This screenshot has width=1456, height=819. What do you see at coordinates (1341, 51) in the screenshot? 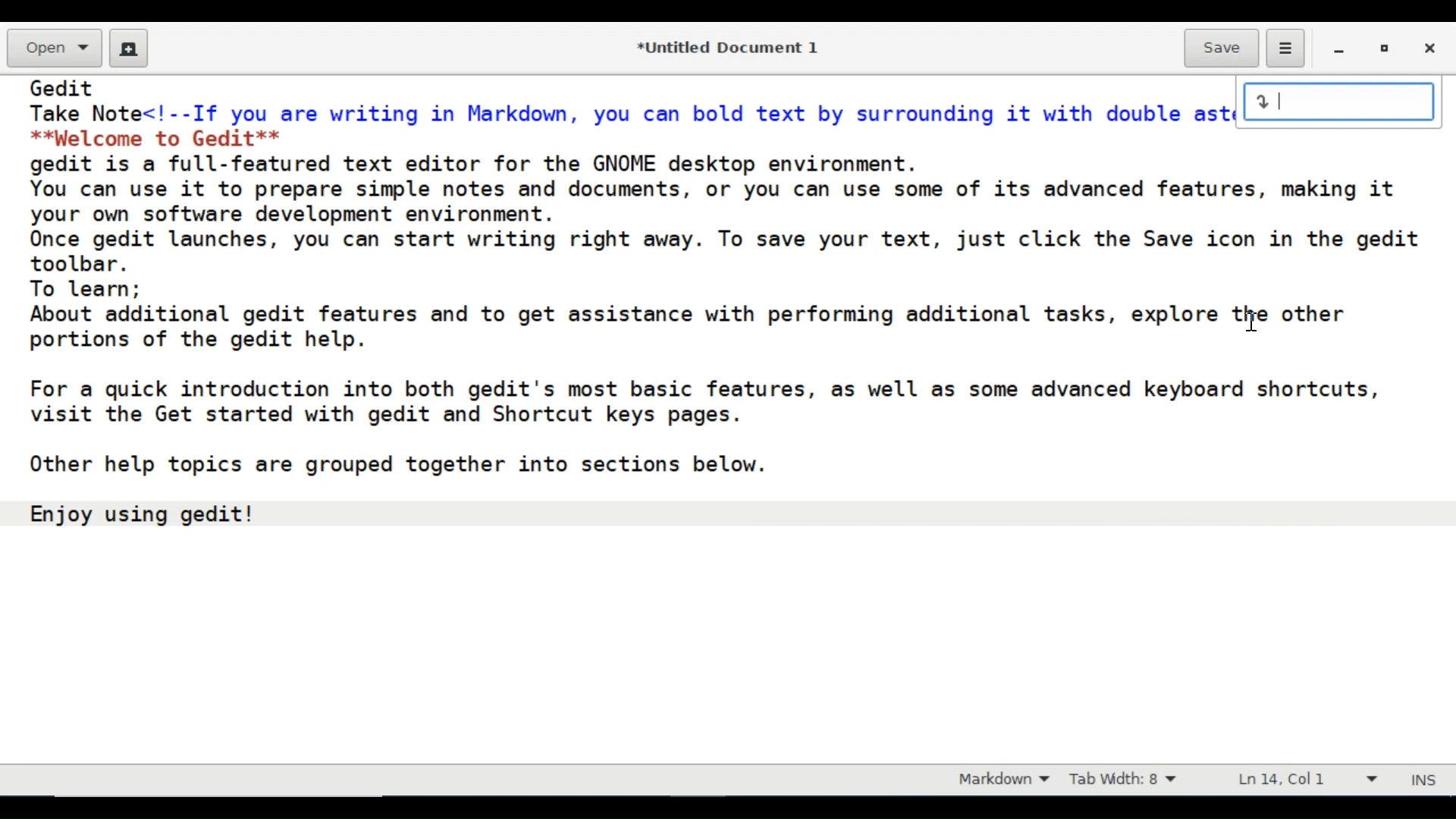
I see `minimize` at bounding box center [1341, 51].